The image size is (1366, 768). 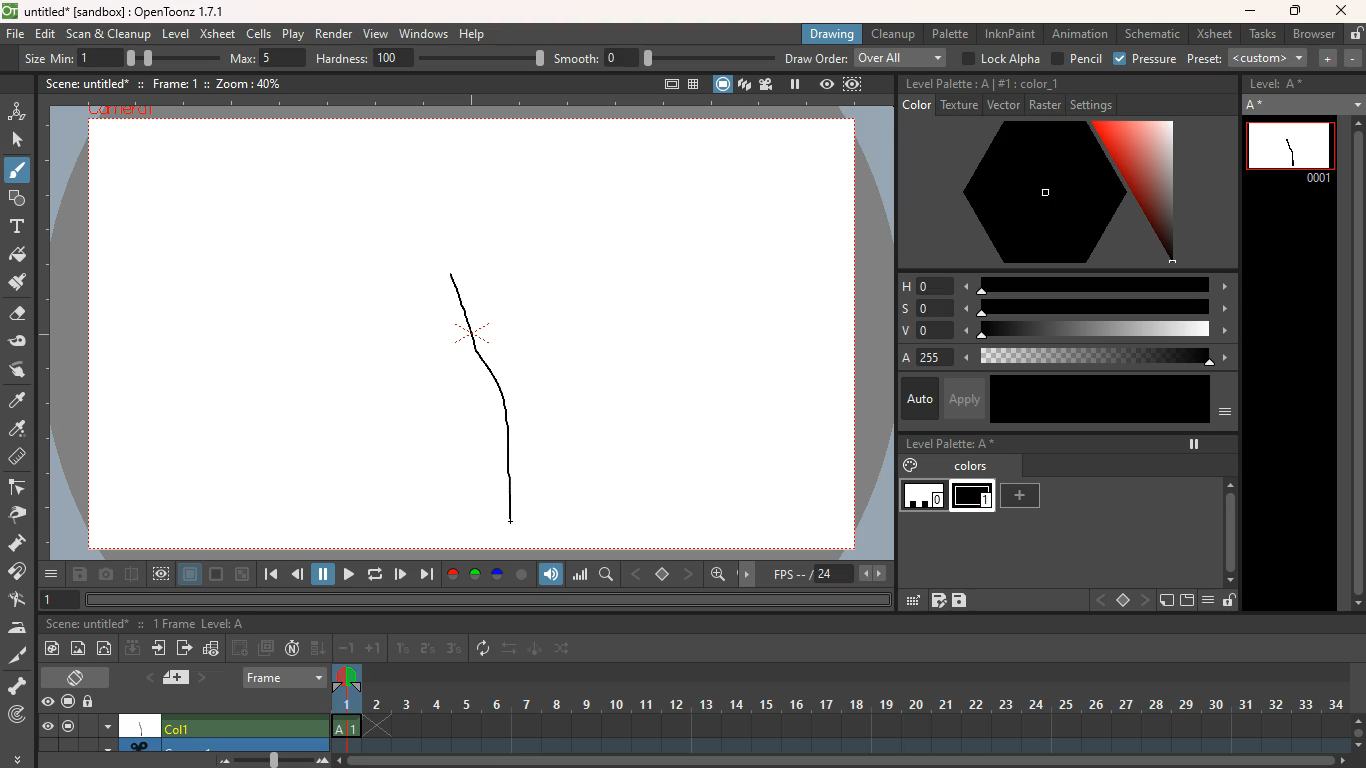 What do you see at coordinates (346, 574) in the screenshot?
I see `forward` at bounding box center [346, 574].